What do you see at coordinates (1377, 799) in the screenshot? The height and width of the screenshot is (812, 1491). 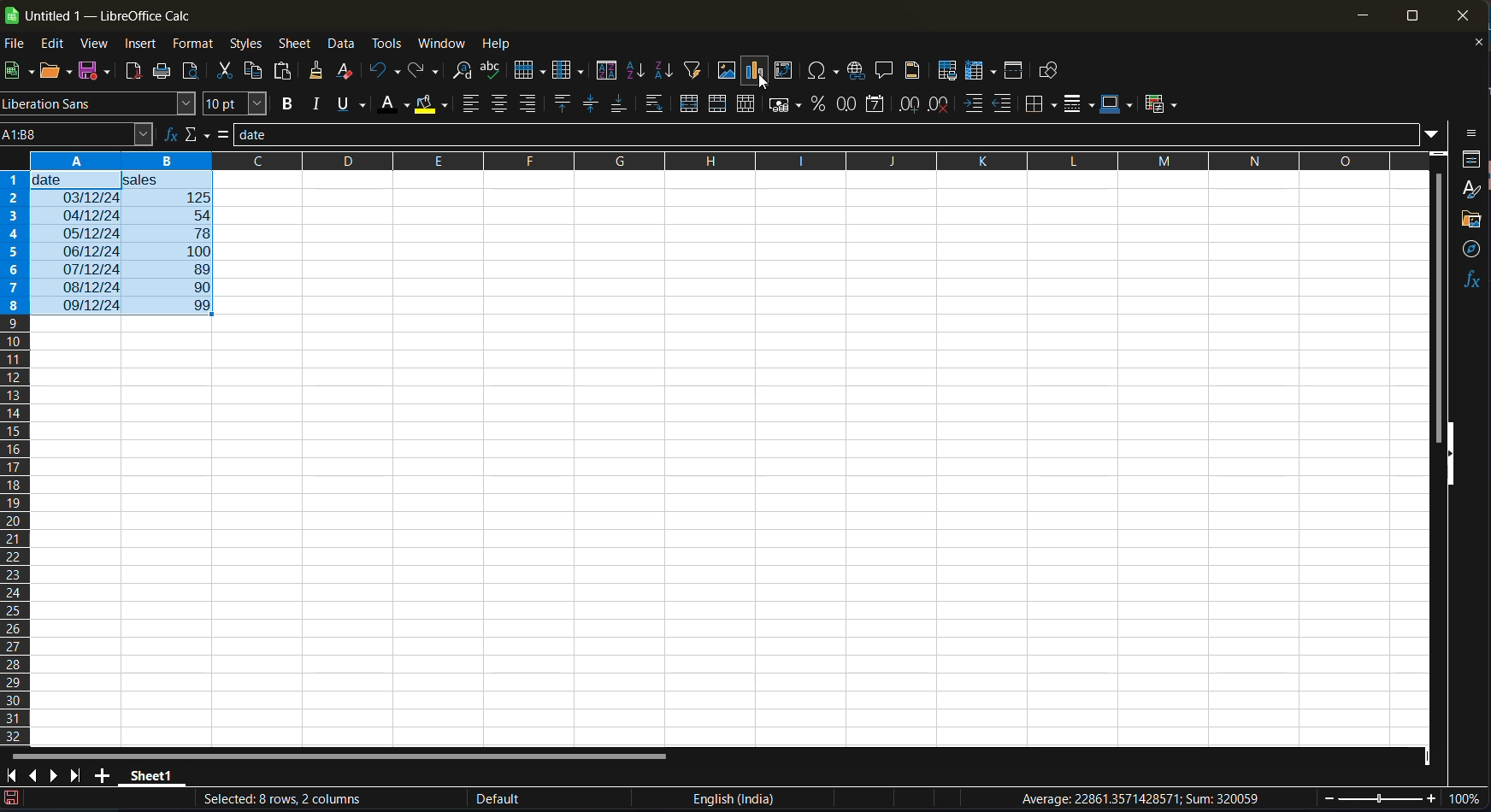 I see `zoom slider` at bounding box center [1377, 799].